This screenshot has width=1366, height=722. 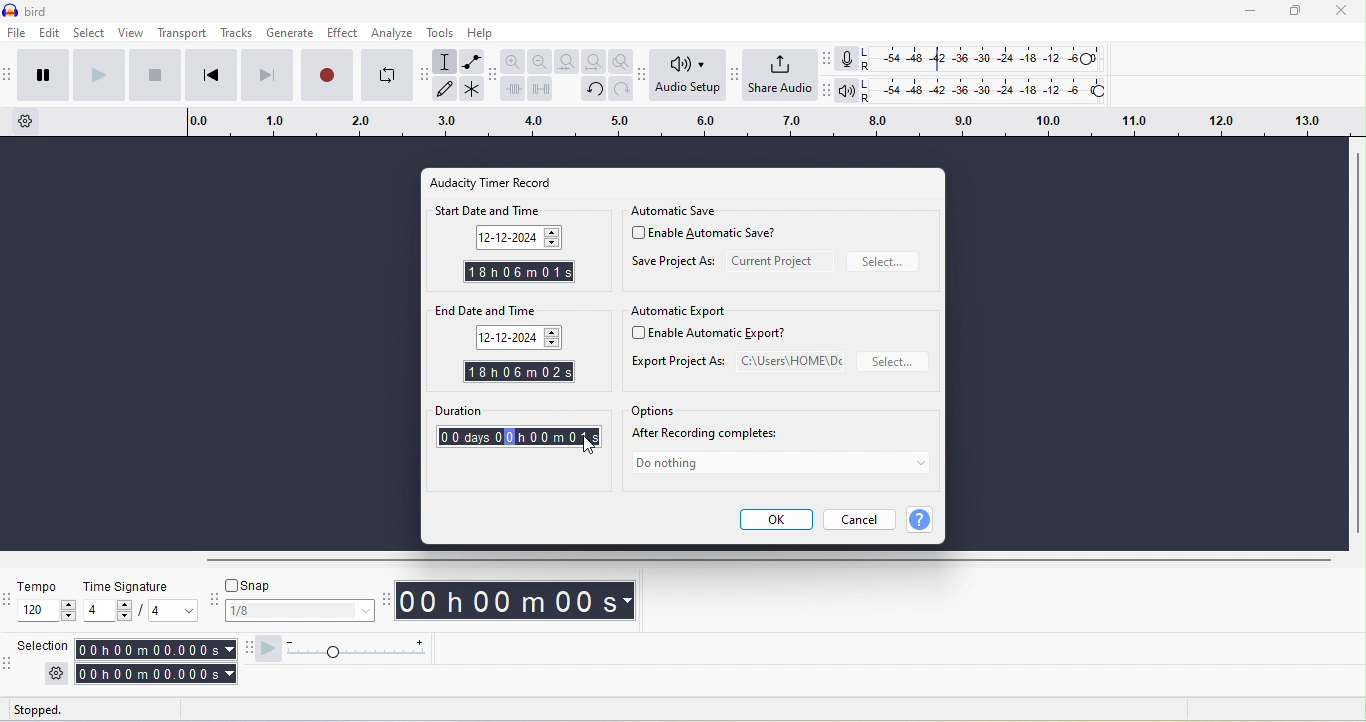 I want to click on start date, so click(x=515, y=340).